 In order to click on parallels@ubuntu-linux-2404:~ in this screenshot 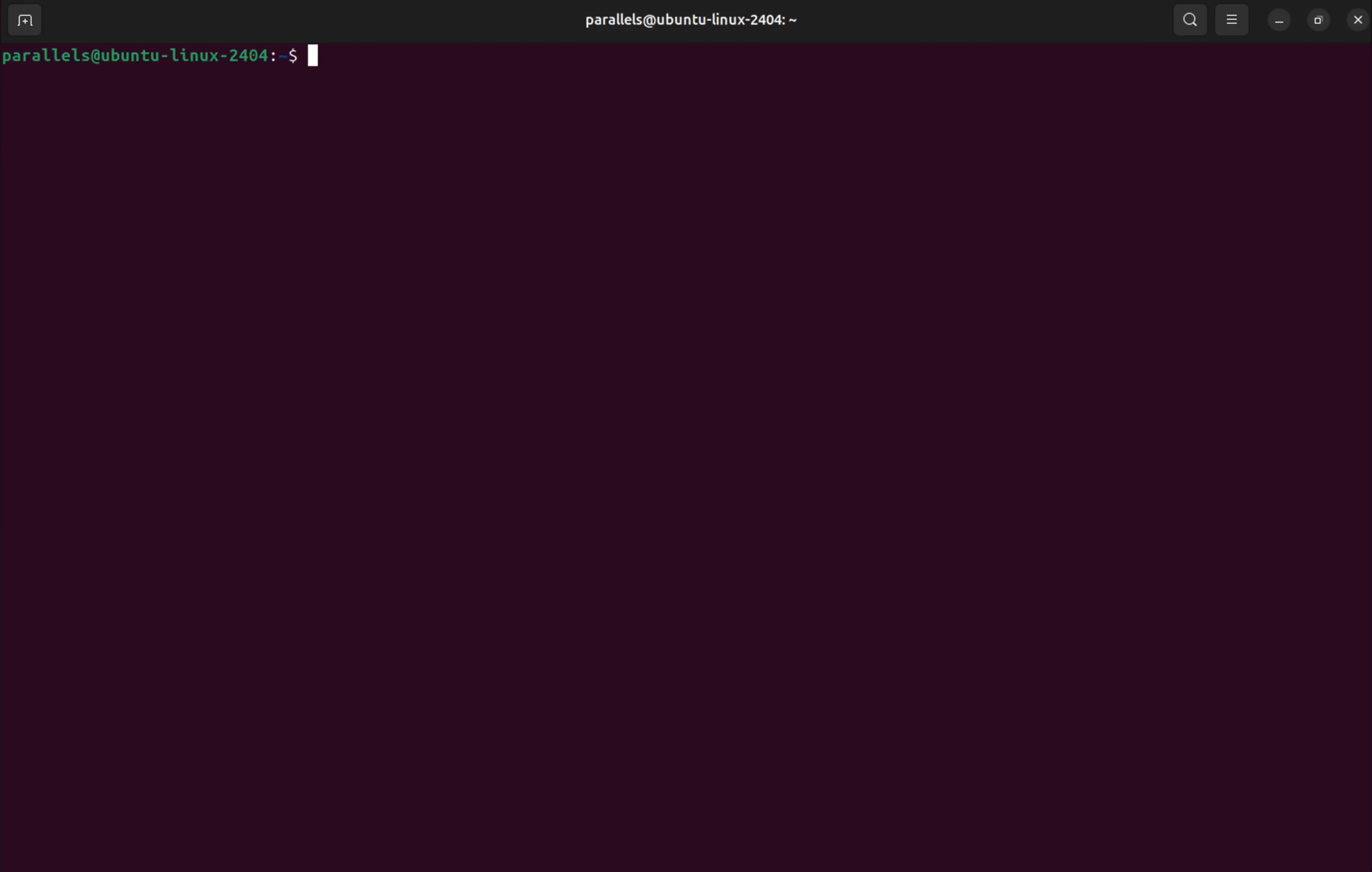, I will do `click(689, 20)`.